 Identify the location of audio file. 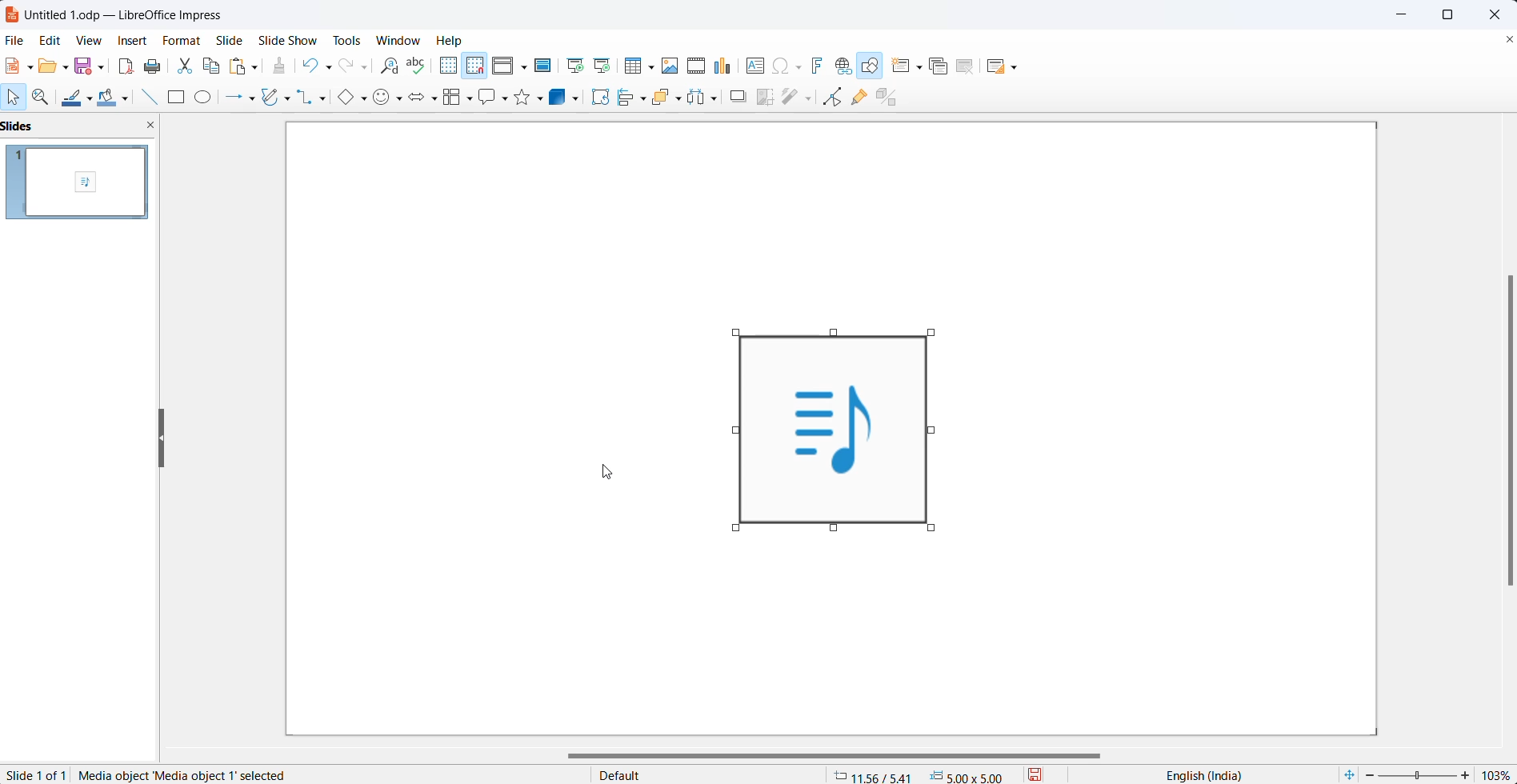
(829, 429).